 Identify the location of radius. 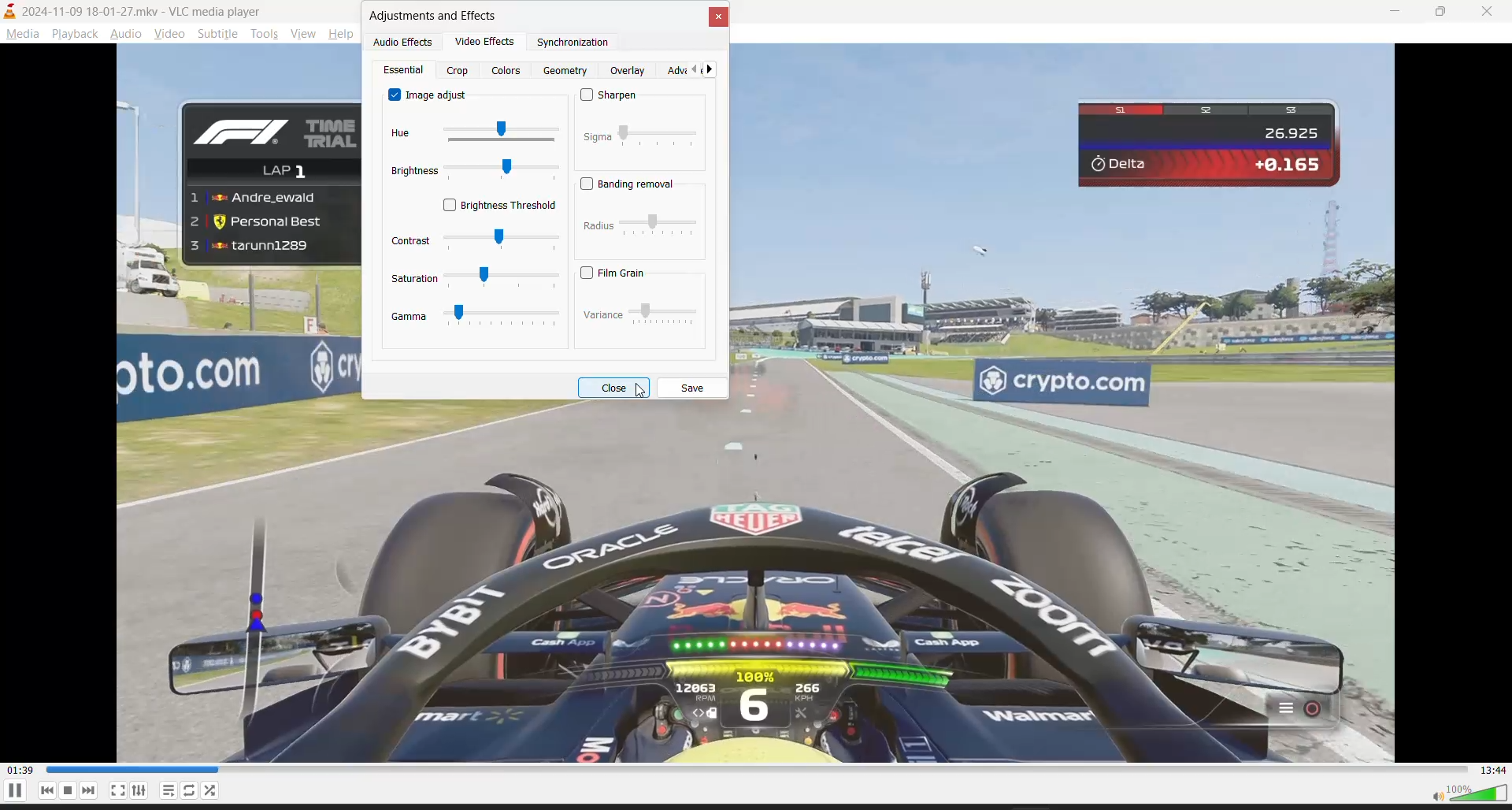
(639, 229).